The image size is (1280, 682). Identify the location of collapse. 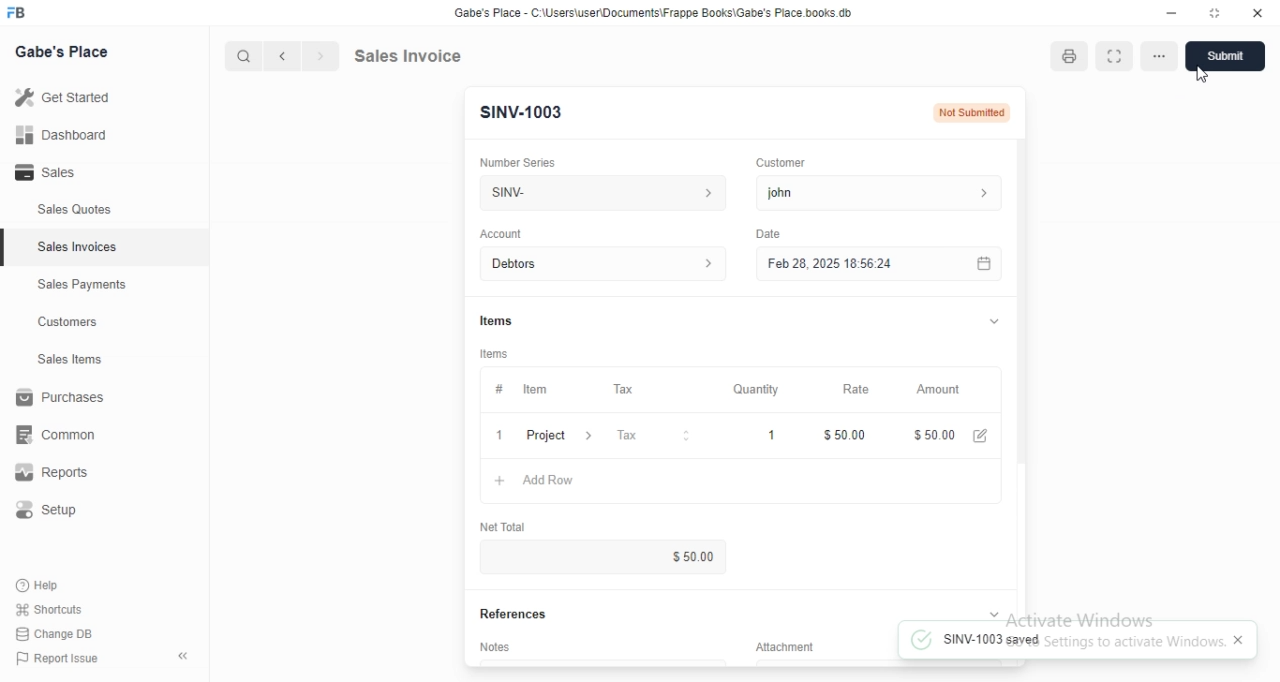
(185, 656).